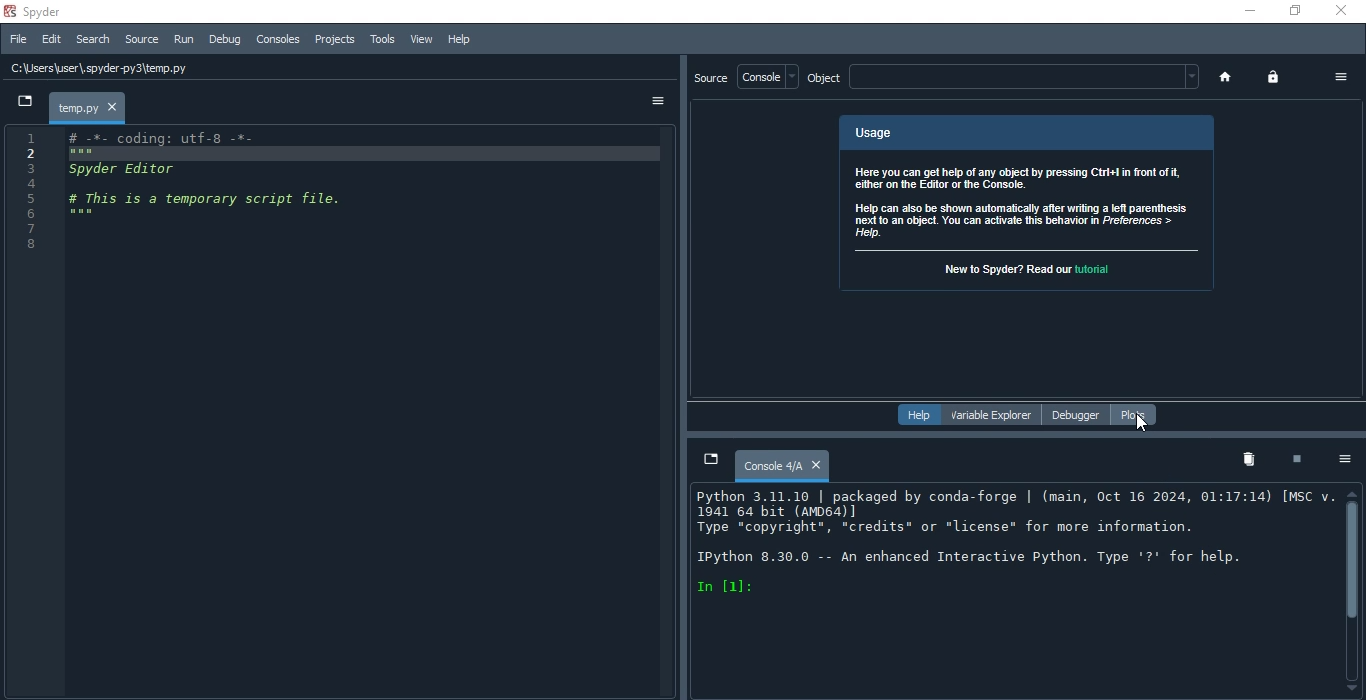 The image size is (1366, 700). Describe the element at coordinates (223, 40) in the screenshot. I see `Debug` at that location.